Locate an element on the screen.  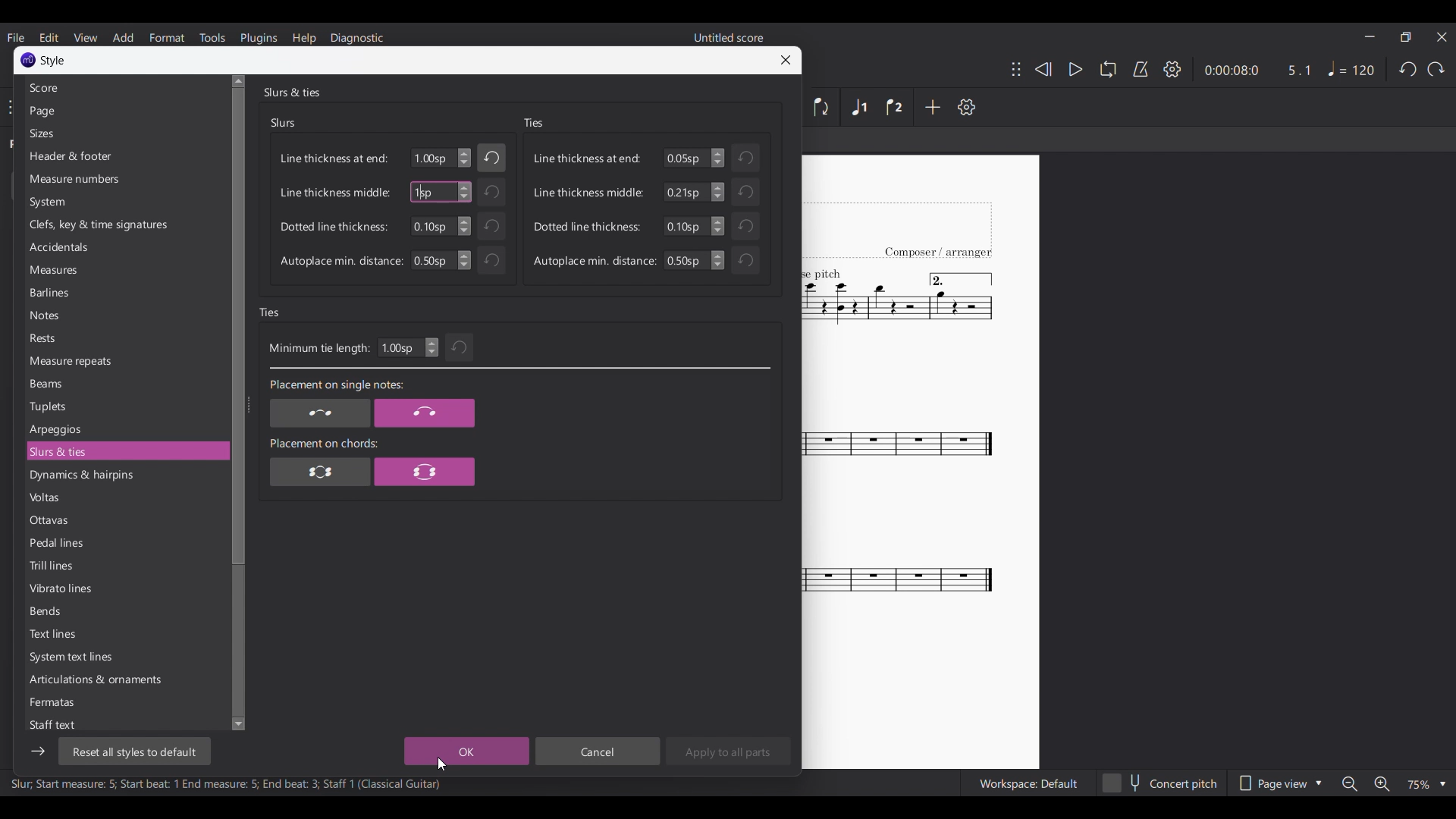
Metronome is located at coordinates (1141, 69).